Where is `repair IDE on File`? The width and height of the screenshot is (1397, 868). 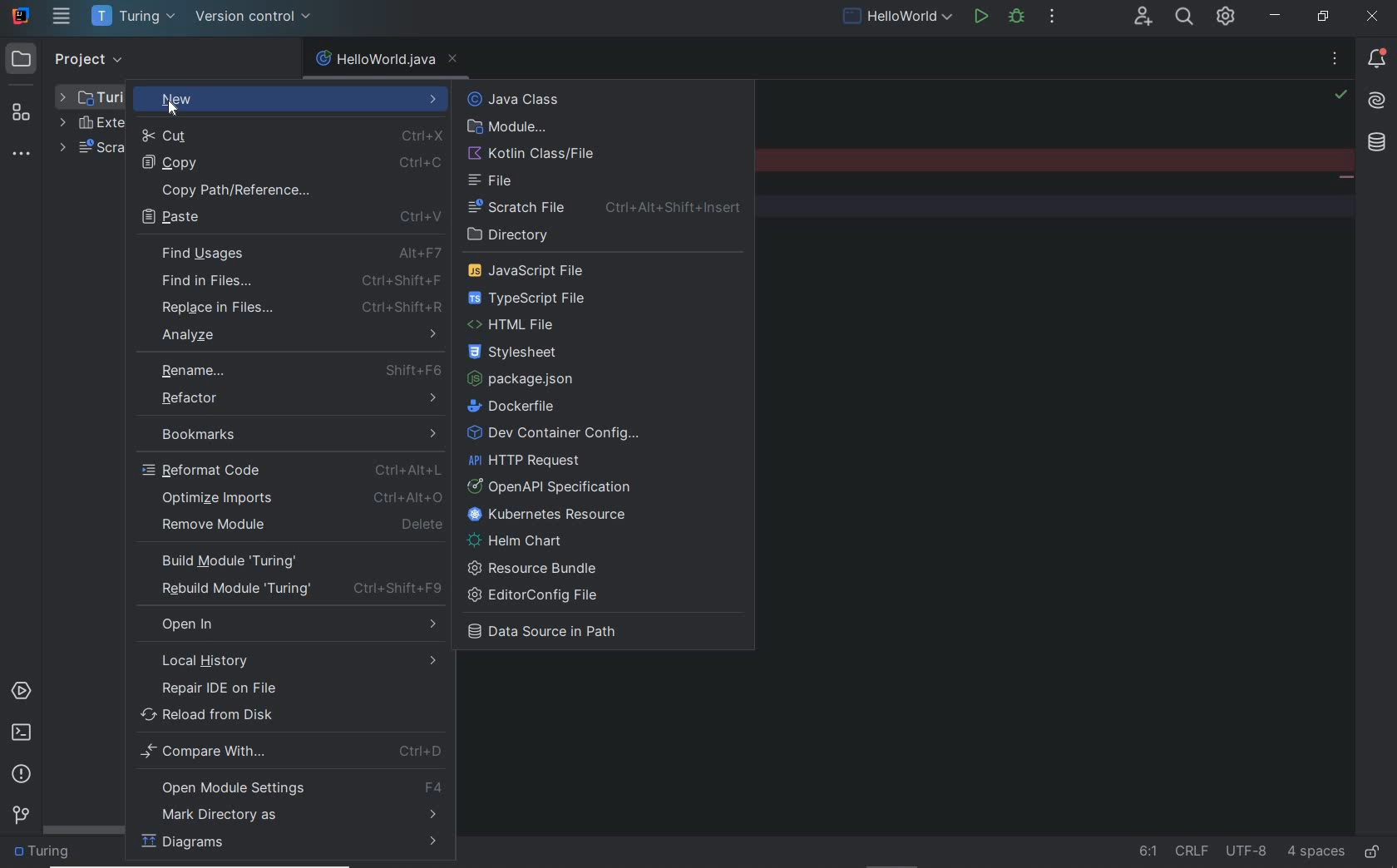
repair IDE on File is located at coordinates (284, 688).